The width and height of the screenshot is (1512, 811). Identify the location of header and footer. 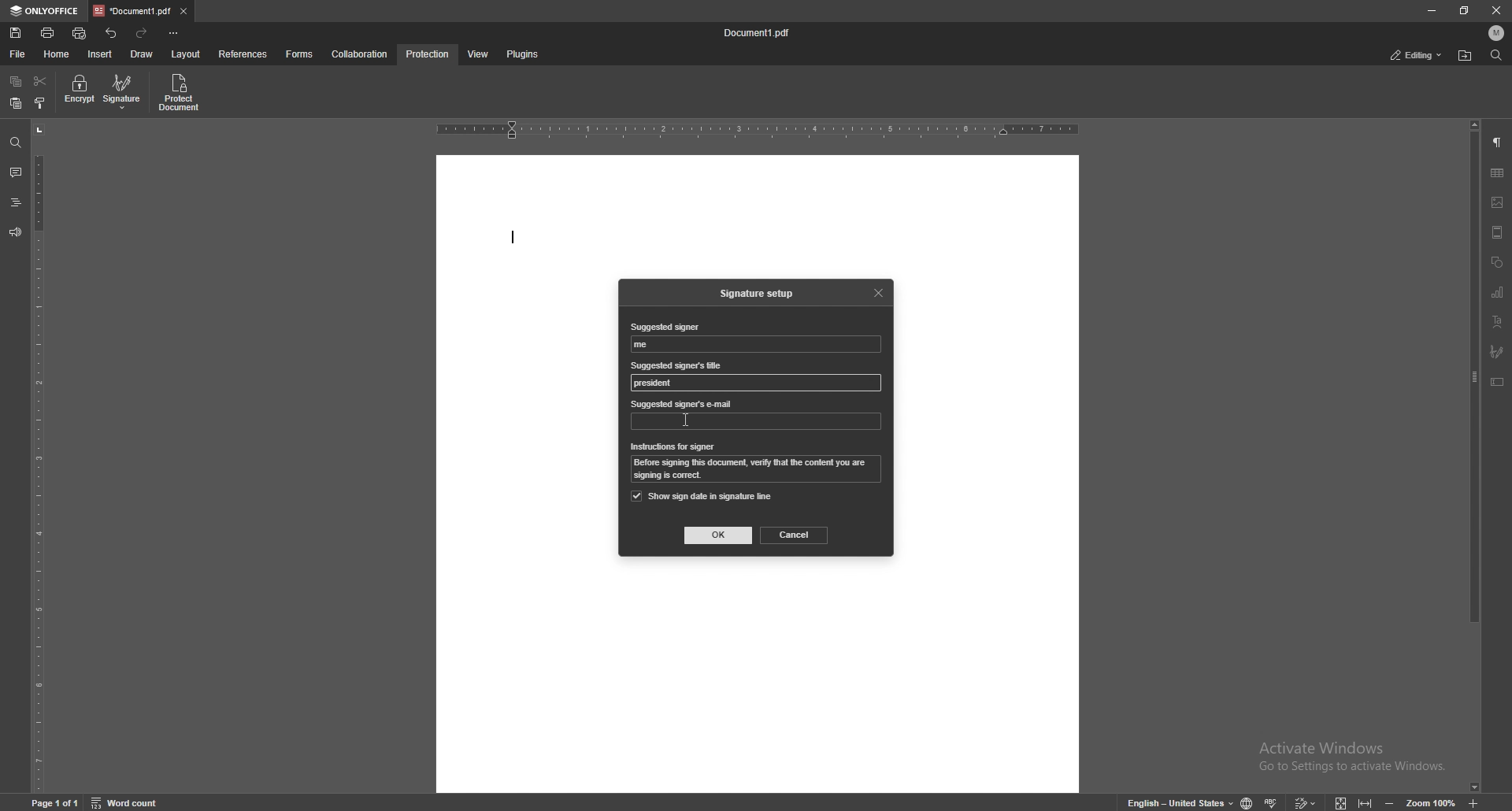
(1497, 232).